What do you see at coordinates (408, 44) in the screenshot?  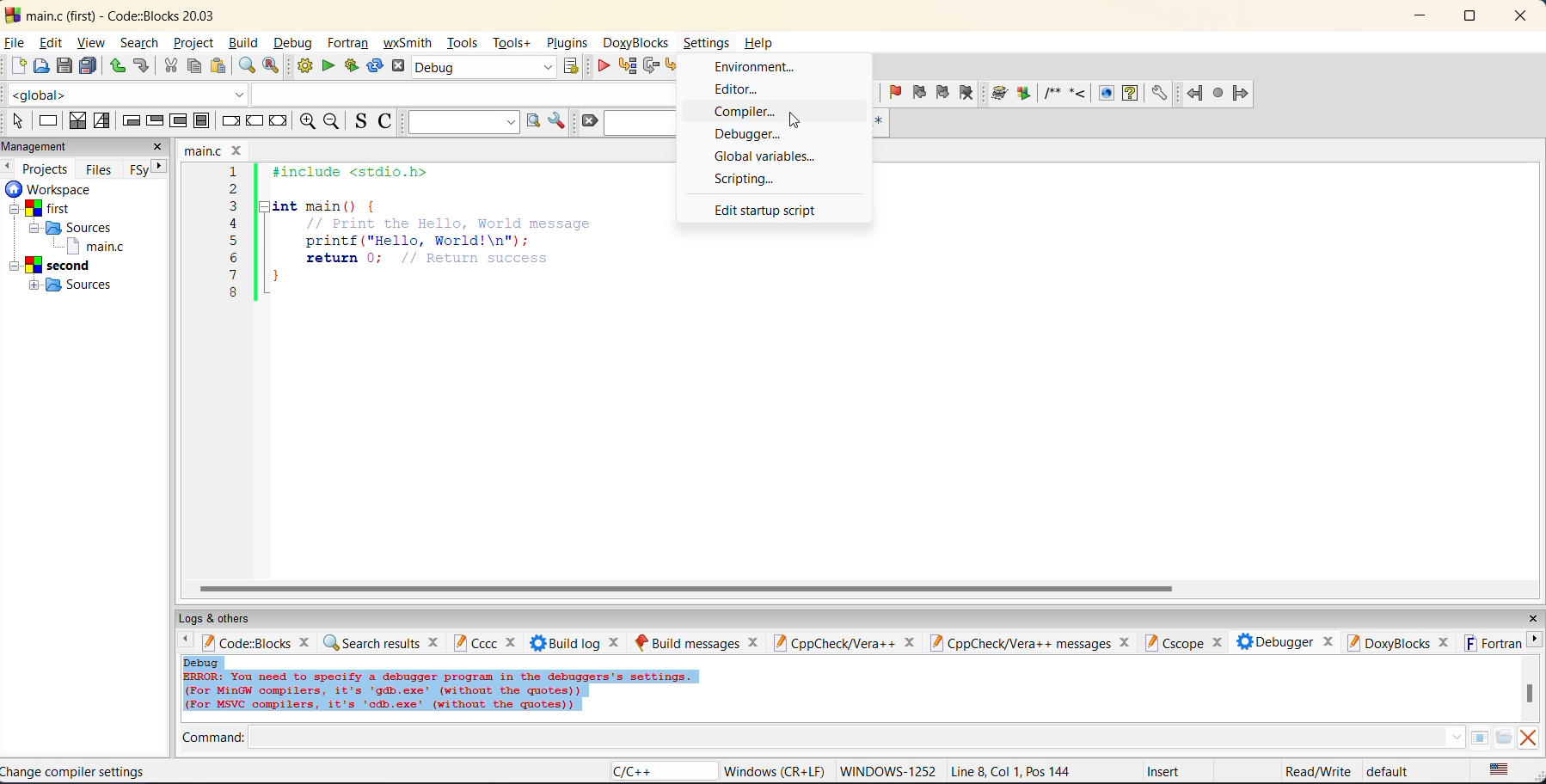 I see `wxsmith` at bounding box center [408, 44].